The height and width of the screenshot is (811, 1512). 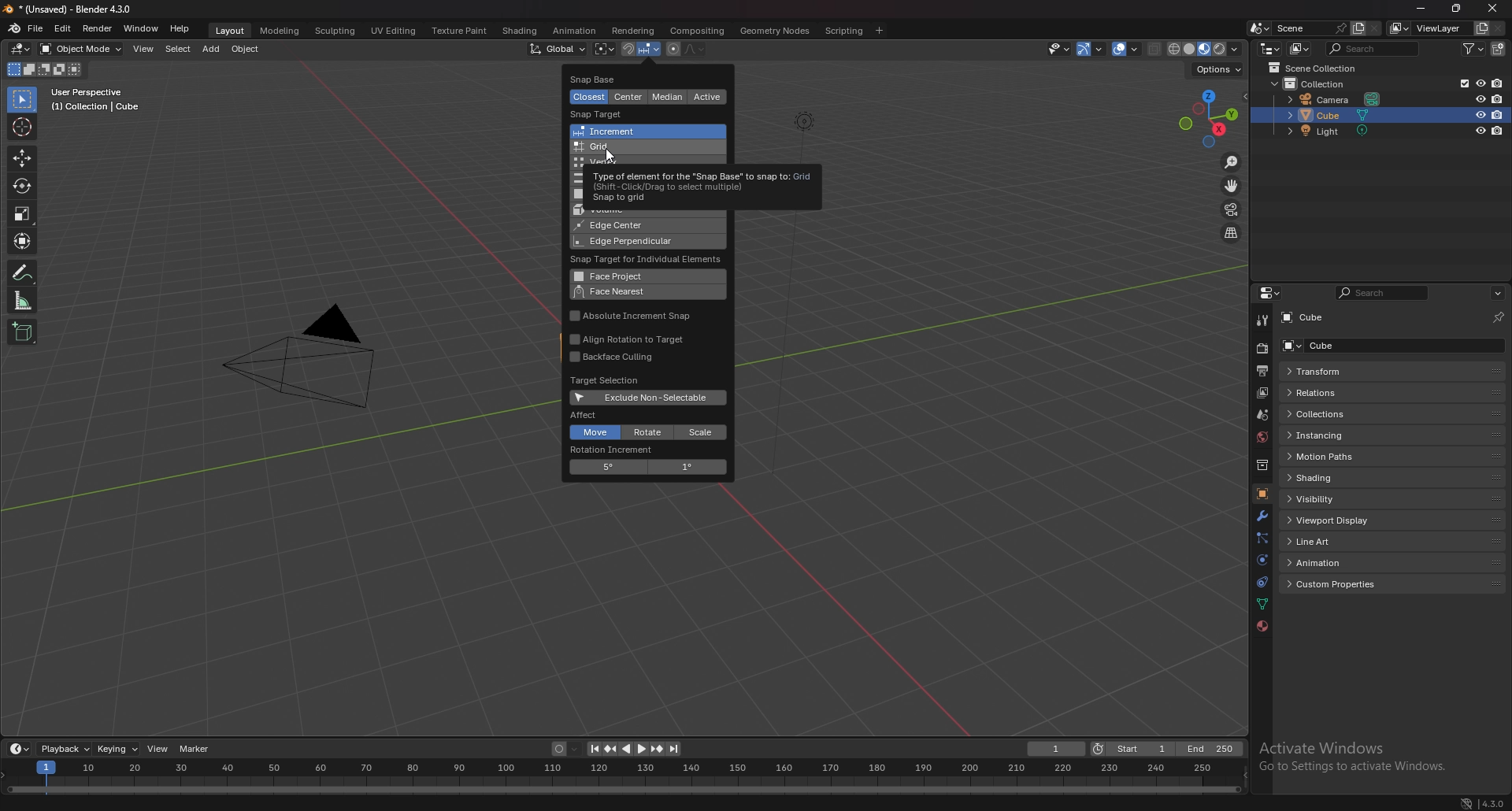 What do you see at coordinates (695, 49) in the screenshot?
I see `proportional editing fall off` at bounding box center [695, 49].